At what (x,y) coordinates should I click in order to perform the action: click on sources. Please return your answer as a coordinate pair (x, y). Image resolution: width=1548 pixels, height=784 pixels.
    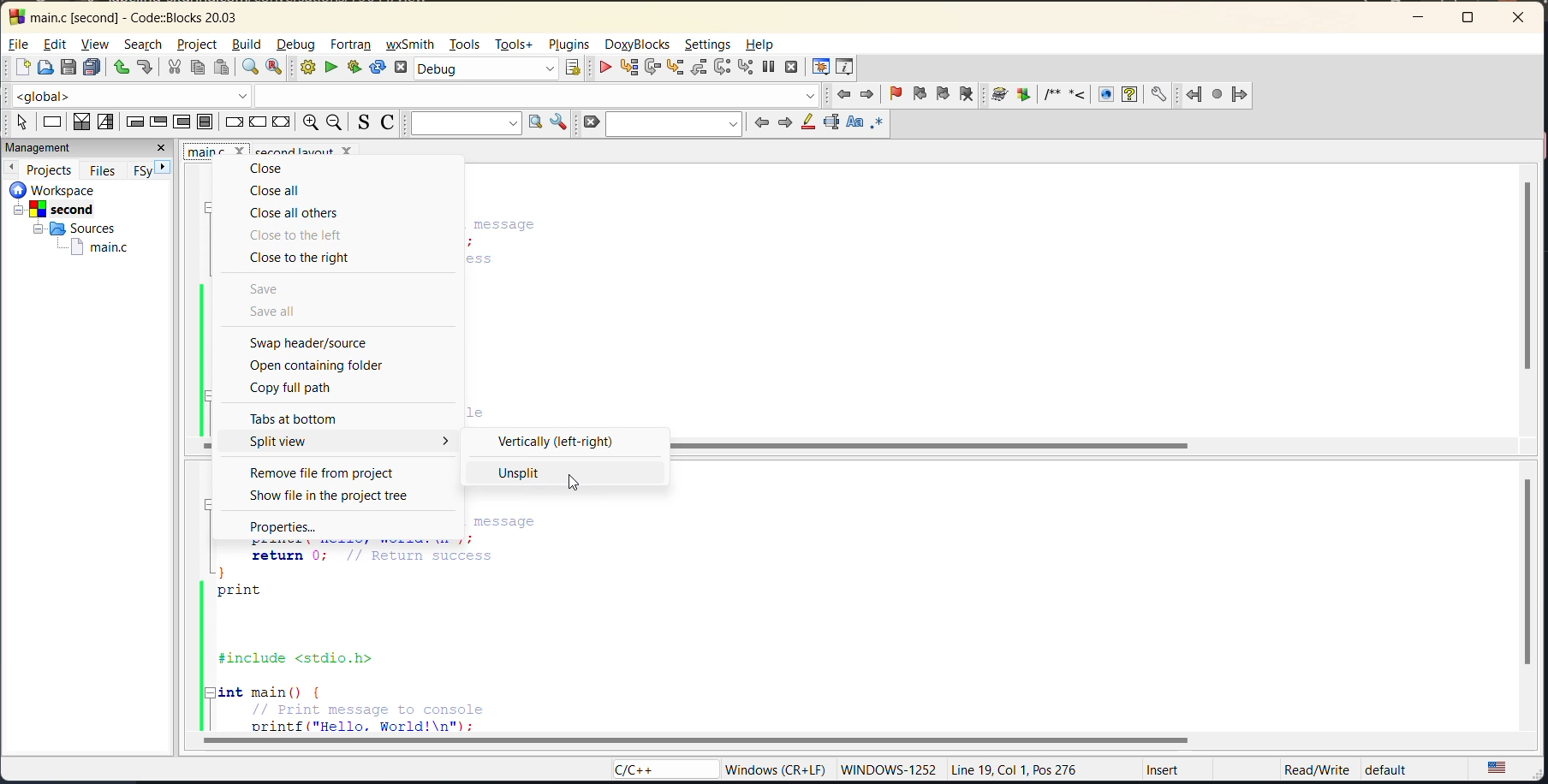
    Looking at the image, I should click on (76, 229).